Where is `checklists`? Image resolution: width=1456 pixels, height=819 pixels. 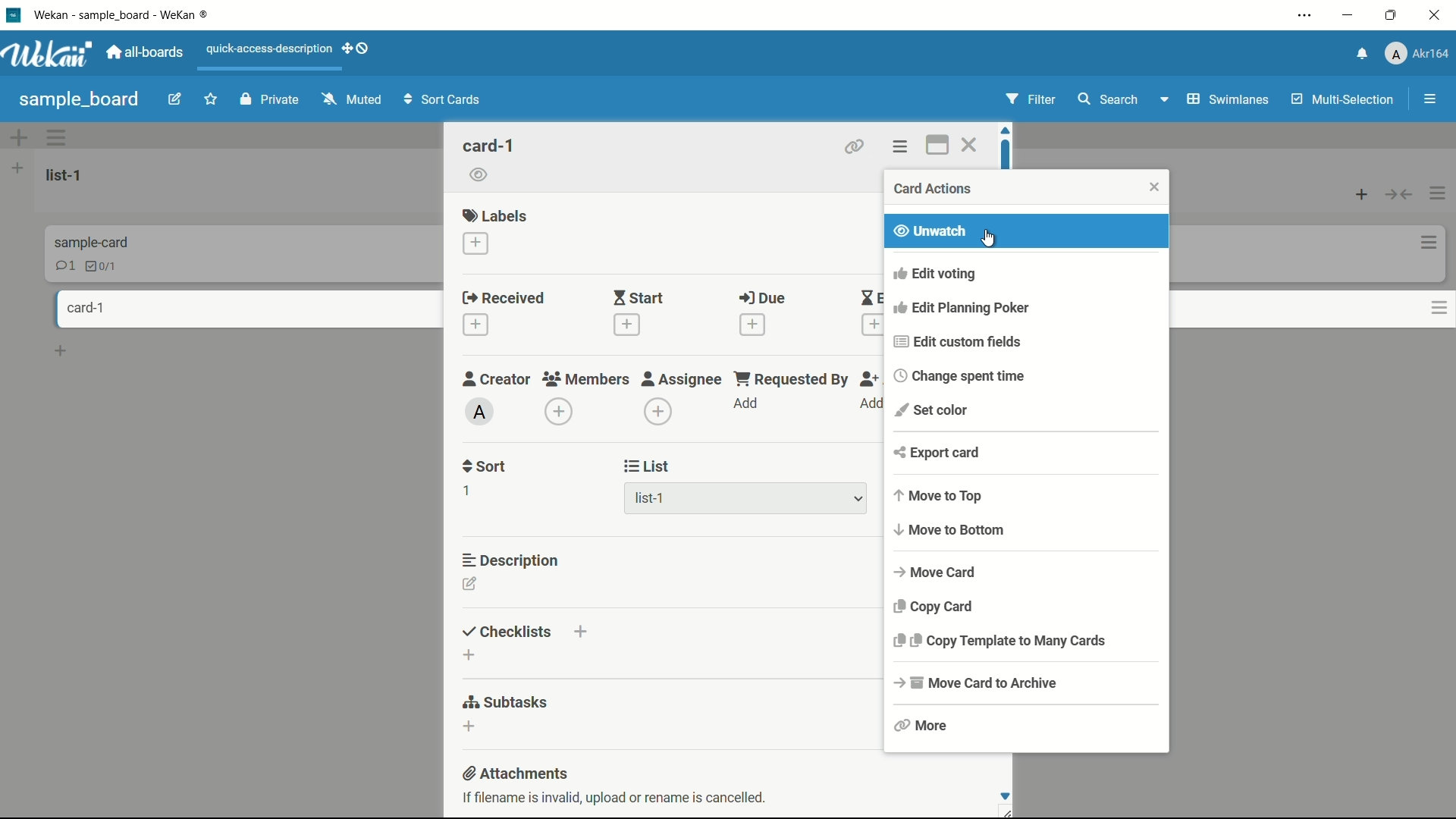 checklists is located at coordinates (508, 632).